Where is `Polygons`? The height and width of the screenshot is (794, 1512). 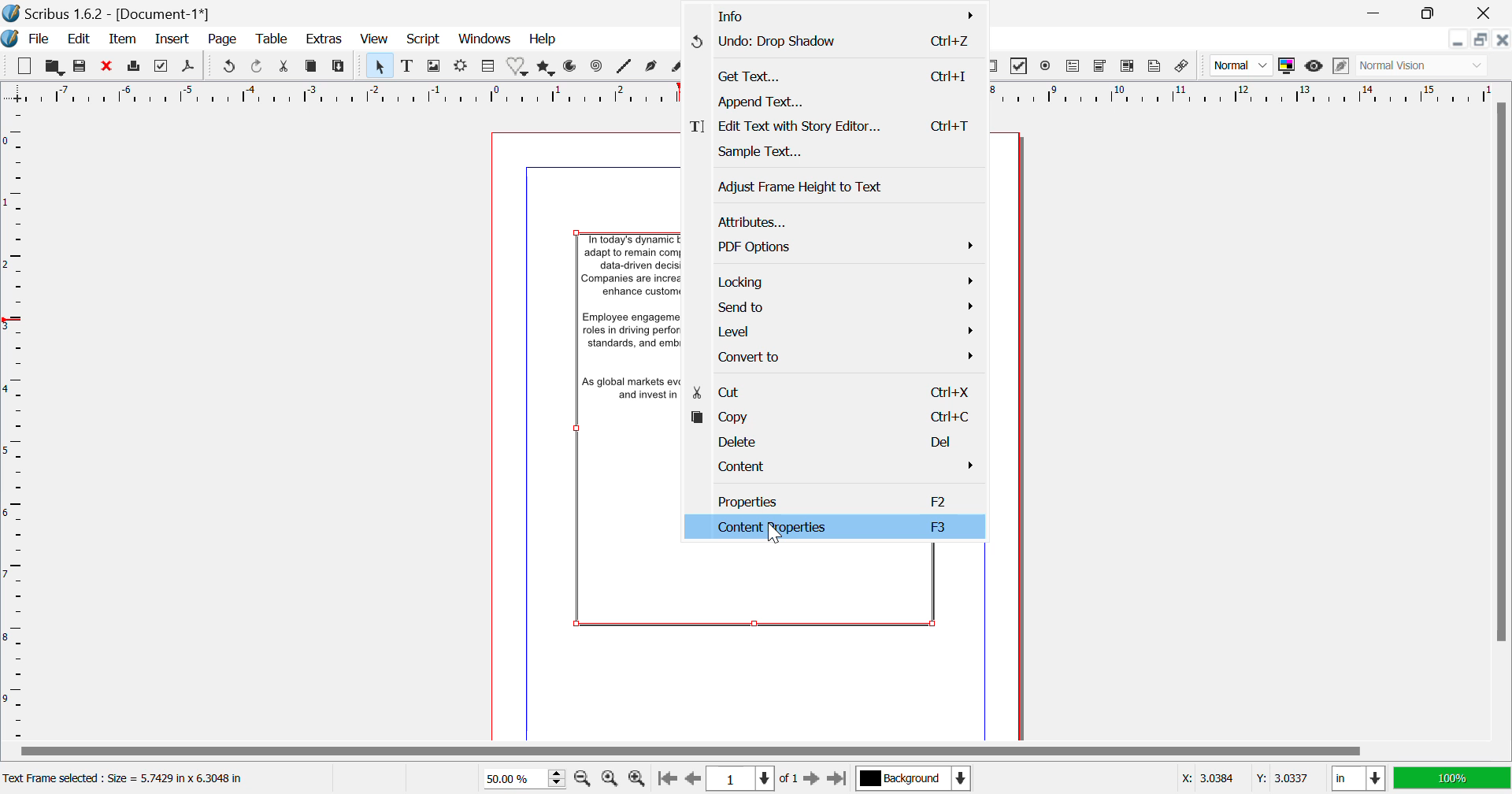
Polygons is located at coordinates (547, 66).